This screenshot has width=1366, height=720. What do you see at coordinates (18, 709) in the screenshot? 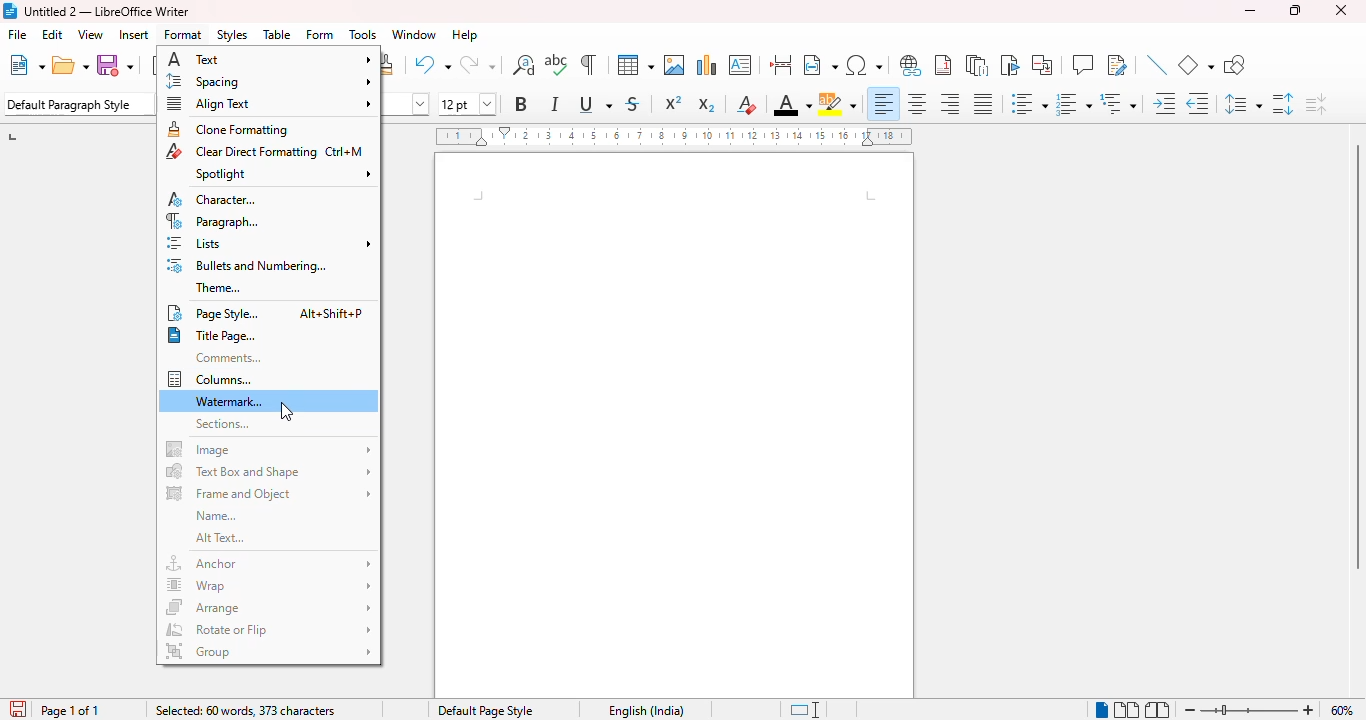
I see `click to save the document` at bounding box center [18, 709].